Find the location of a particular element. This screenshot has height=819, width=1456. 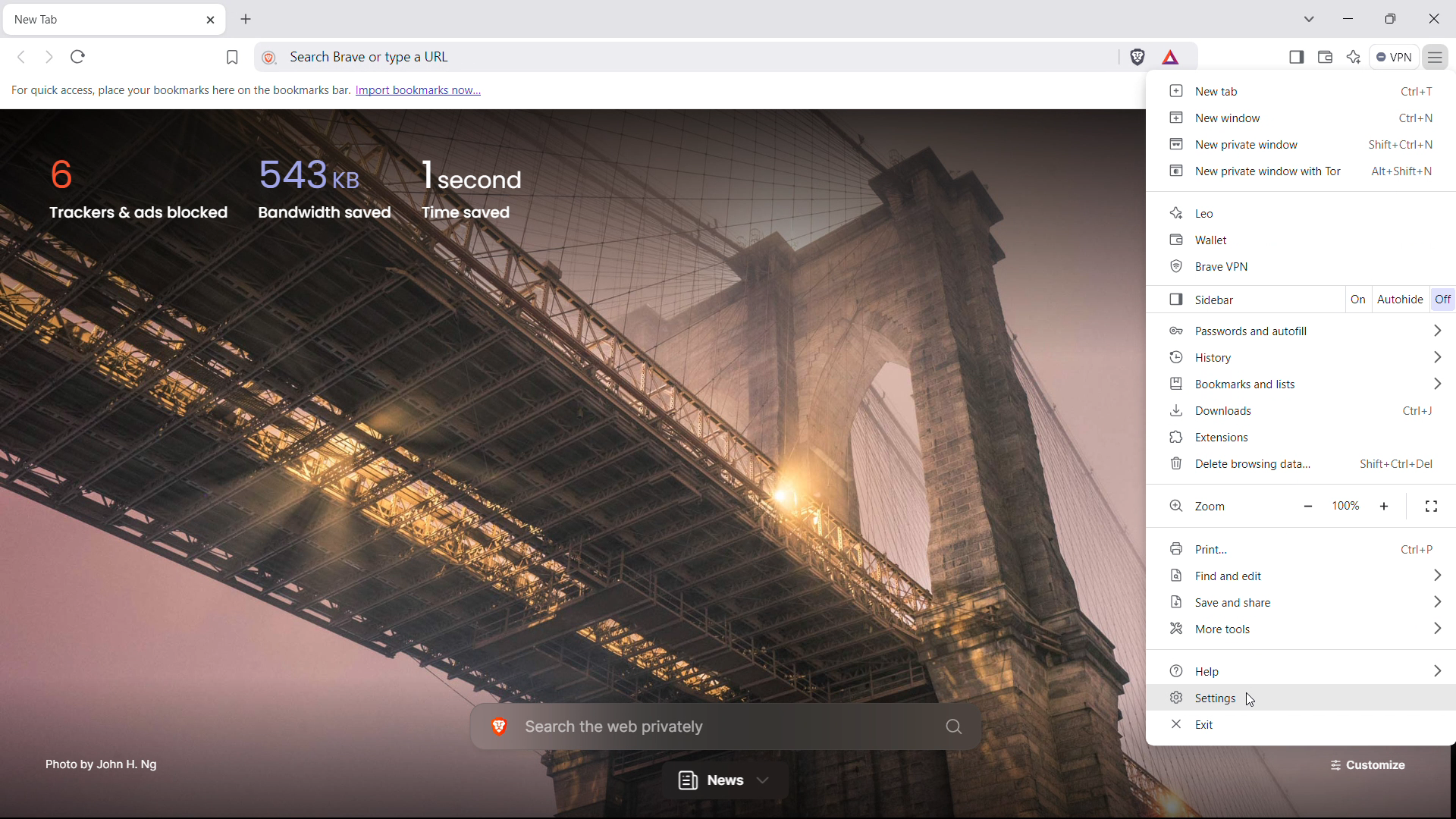

trackers and ads blocked is located at coordinates (140, 216).